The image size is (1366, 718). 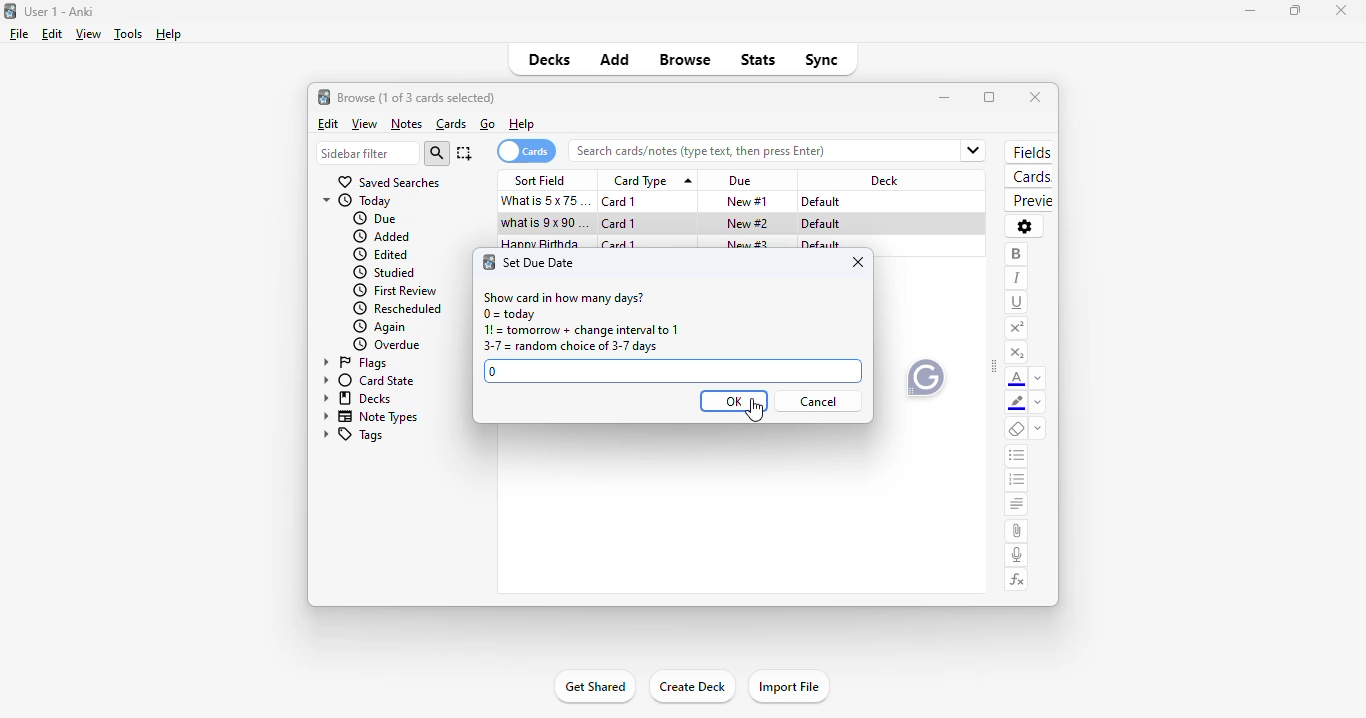 I want to click on cursor, so click(x=667, y=237).